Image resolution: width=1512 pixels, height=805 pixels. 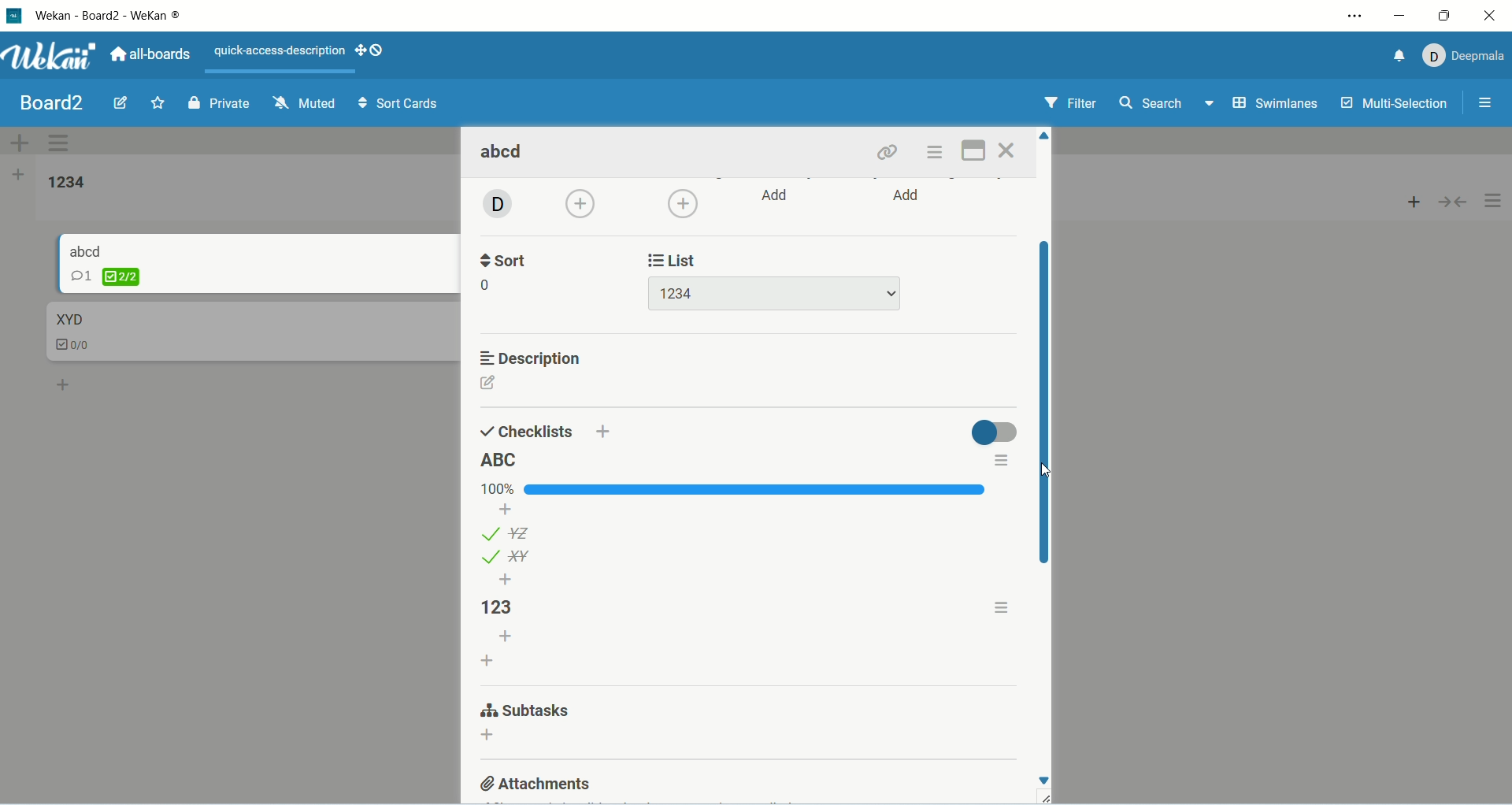 What do you see at coordinates (50, 57) in the screenshot?
I see `wekan` at bounding box center [50, 57].